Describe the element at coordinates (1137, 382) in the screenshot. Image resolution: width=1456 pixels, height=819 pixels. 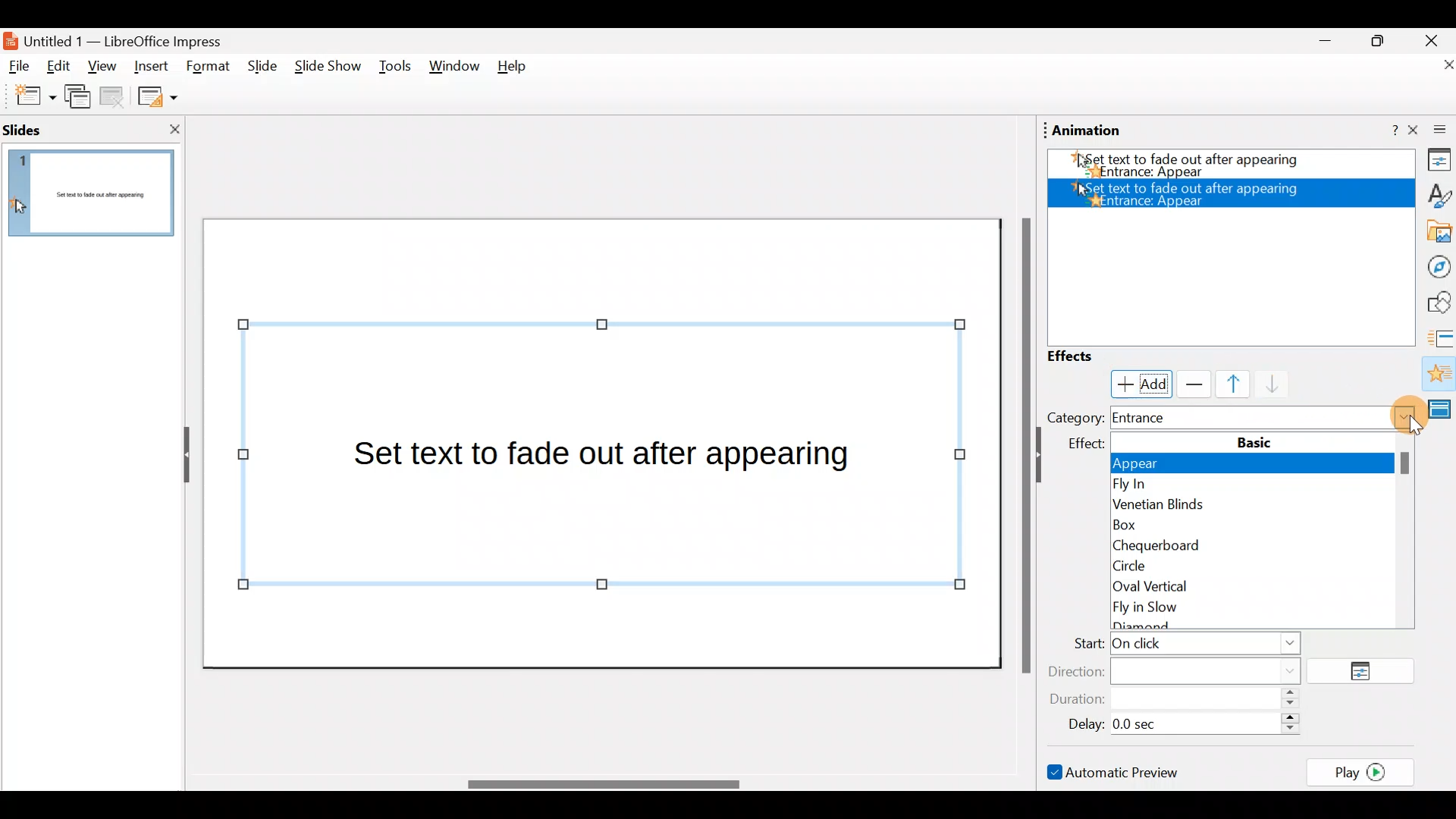
I see `Cursor` at that location.